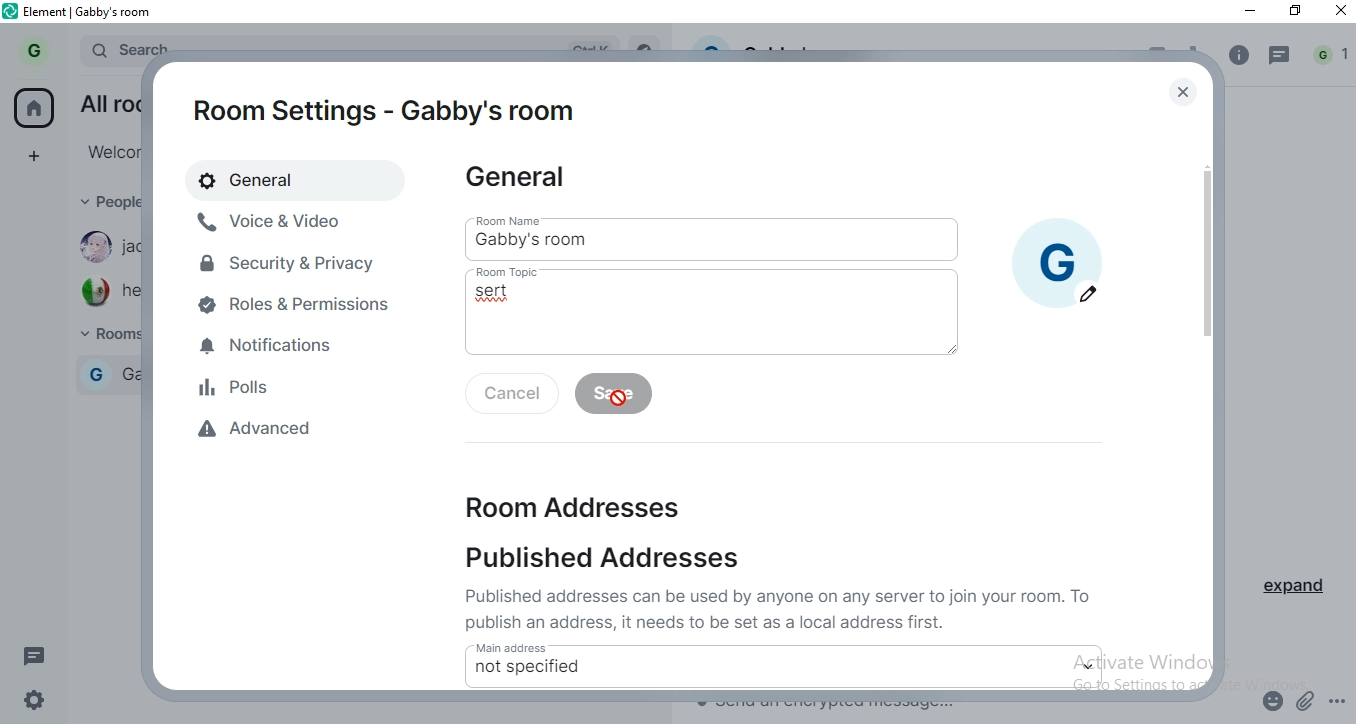 This screenshot has width=1356, height=724. Describe the element at coordinates (108, 151) in the screenshot. I see `welcome` at that location.